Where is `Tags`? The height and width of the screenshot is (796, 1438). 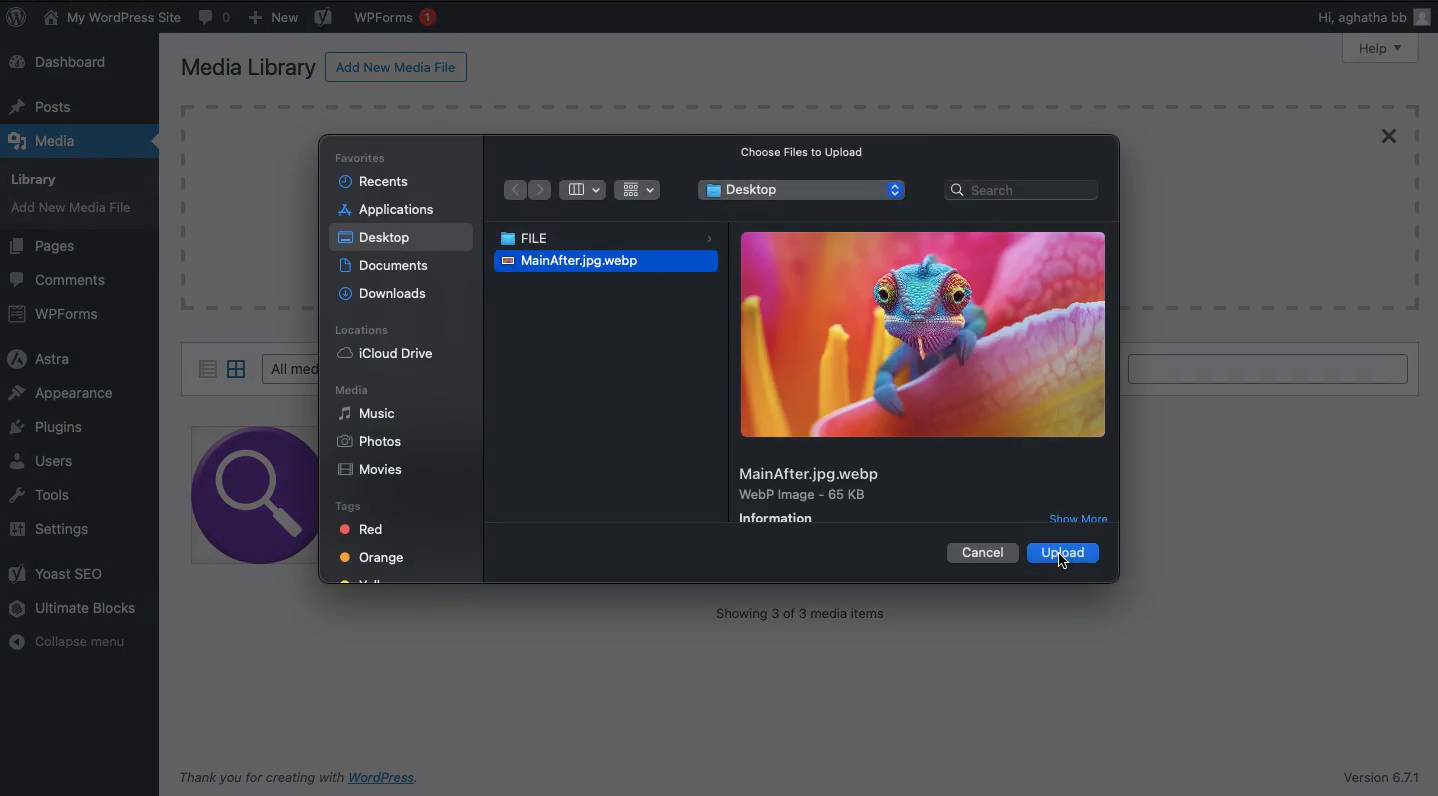
Tags is located at coordinates (355, 505).